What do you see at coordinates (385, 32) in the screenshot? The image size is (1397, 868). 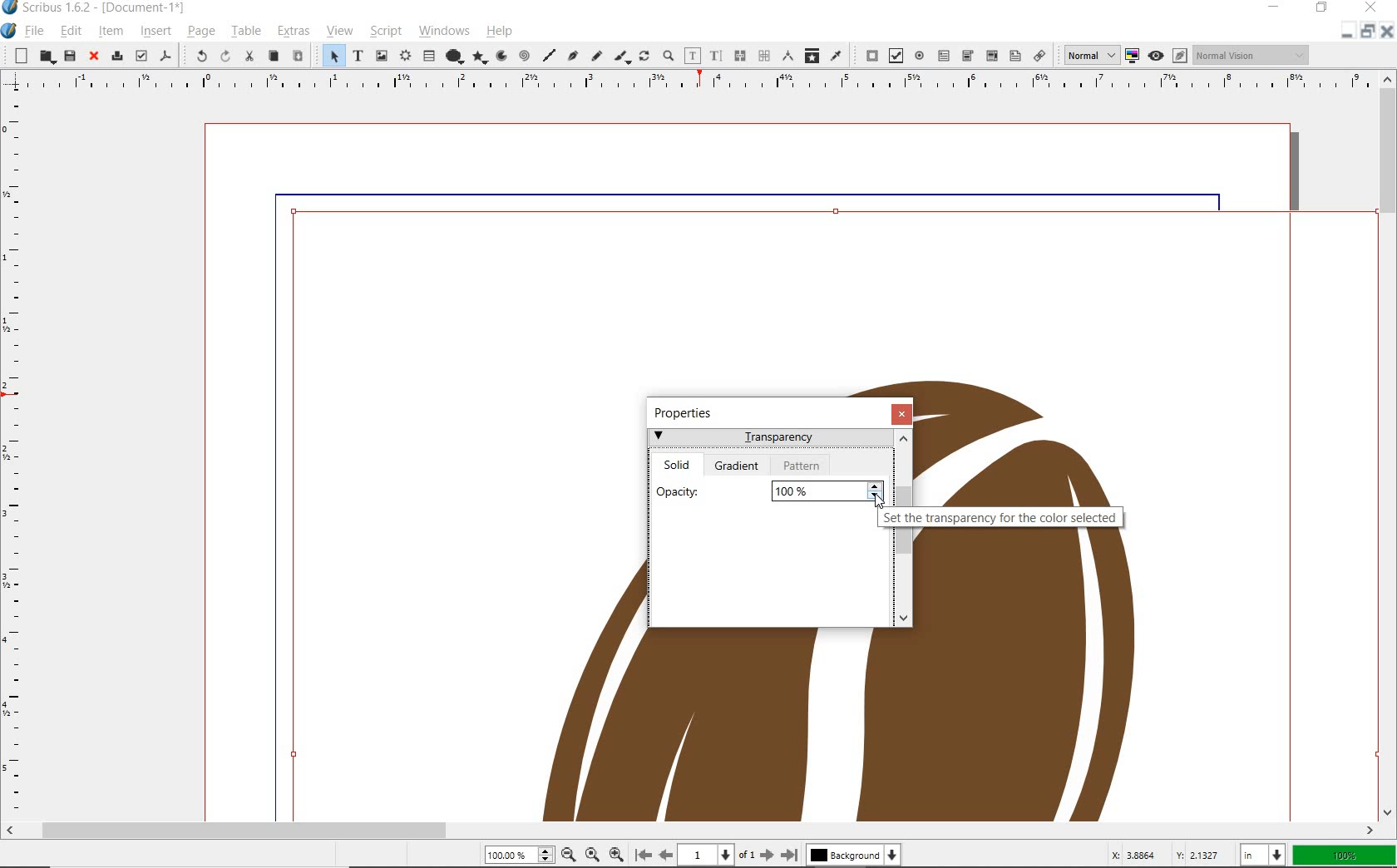 I see `script` at bounding box center [385, 32].